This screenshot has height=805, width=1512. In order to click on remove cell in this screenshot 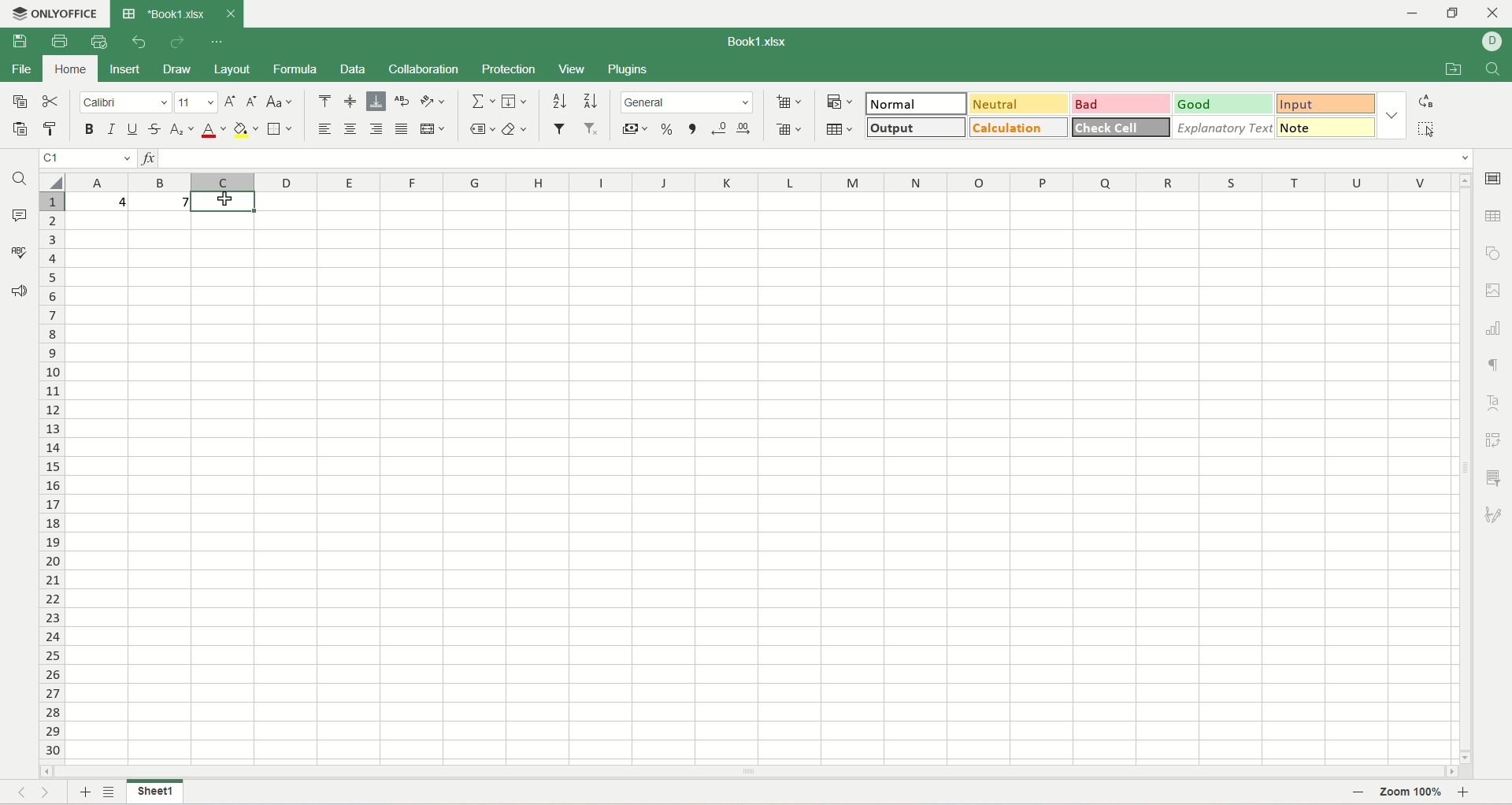, I will do `click(785, 128)`.